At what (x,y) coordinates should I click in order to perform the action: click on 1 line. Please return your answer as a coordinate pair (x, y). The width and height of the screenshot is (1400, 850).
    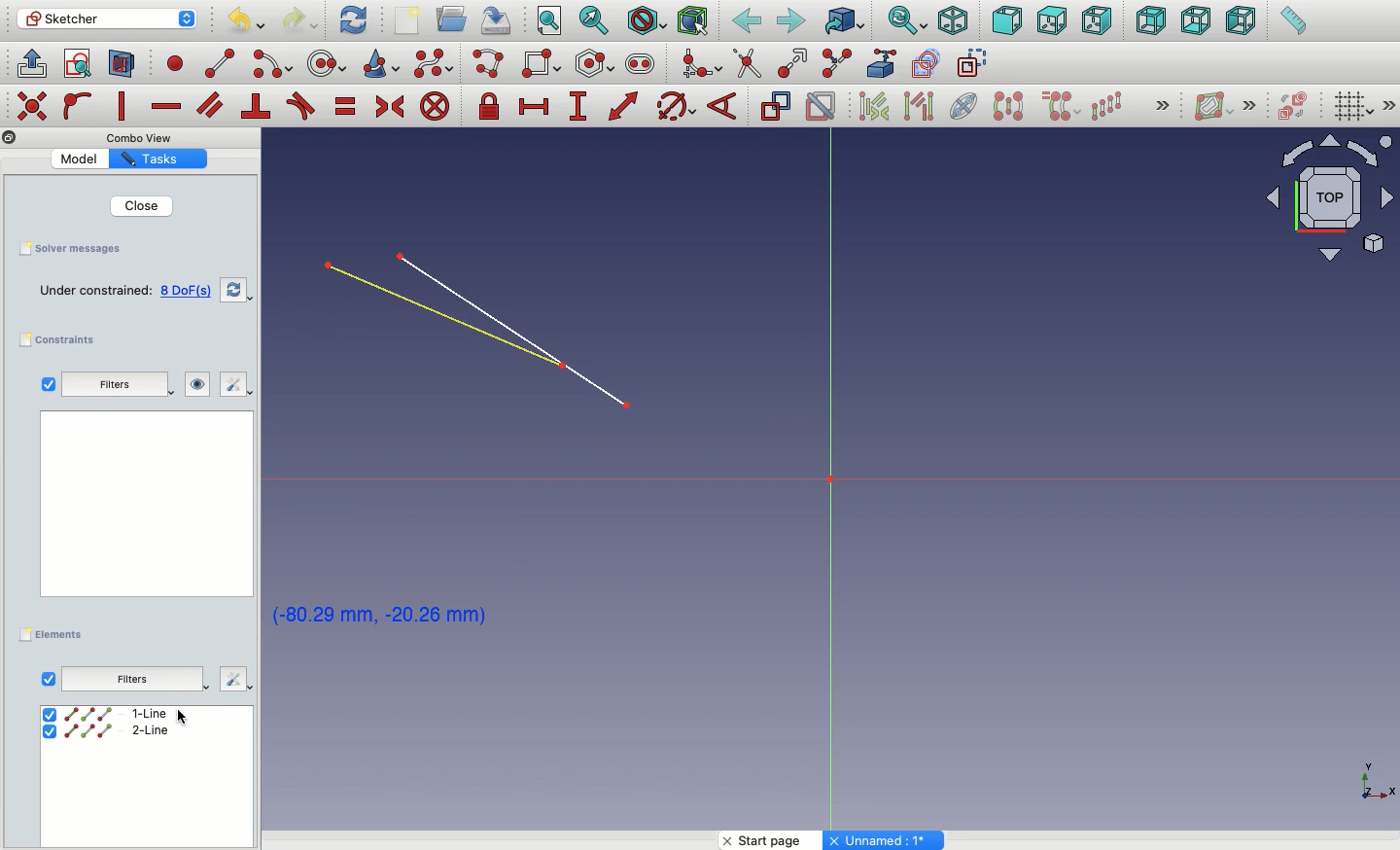
    Looking at the image, I should click on (111, 714).